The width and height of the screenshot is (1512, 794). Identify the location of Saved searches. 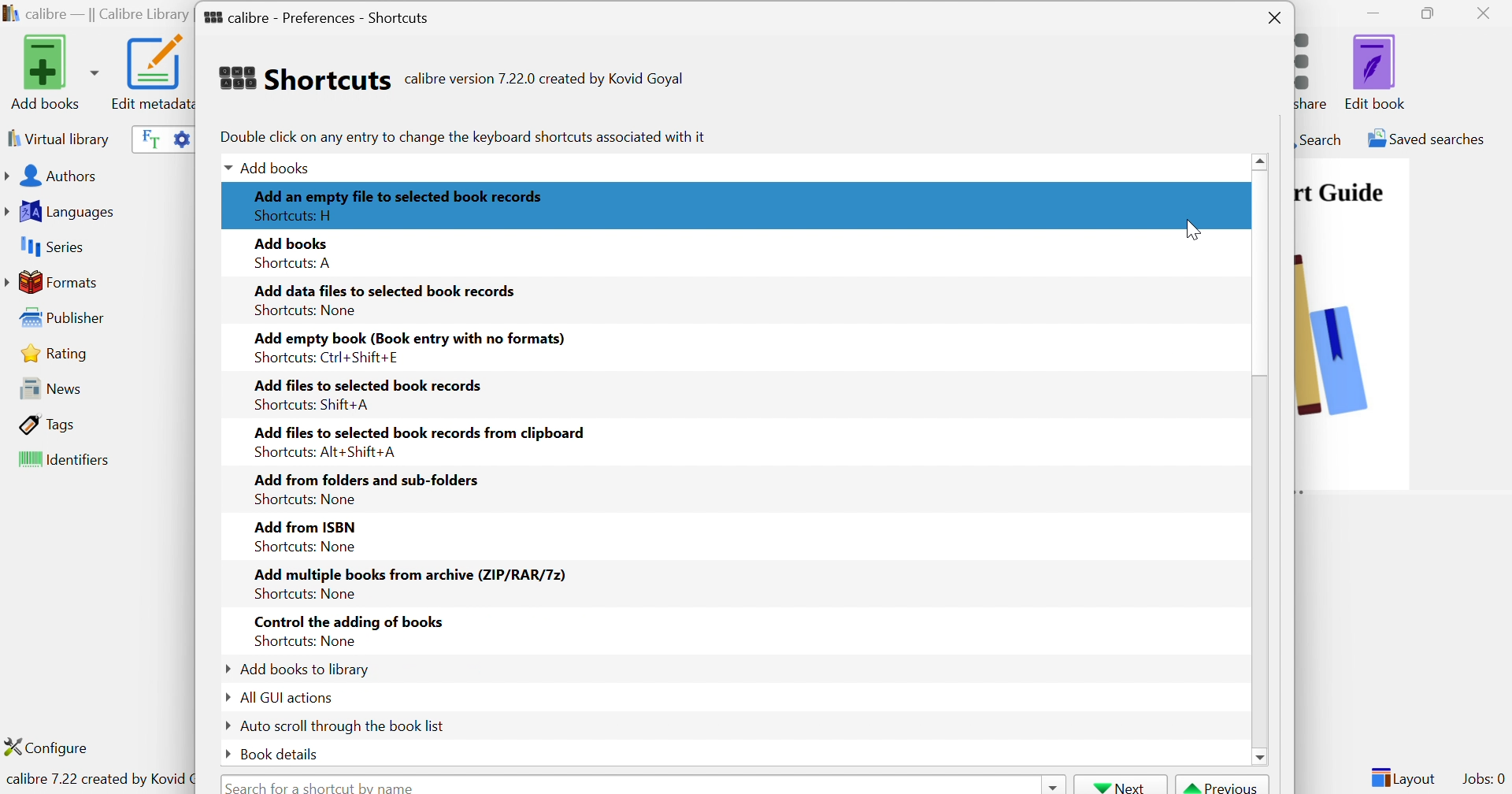
(1425, 139).